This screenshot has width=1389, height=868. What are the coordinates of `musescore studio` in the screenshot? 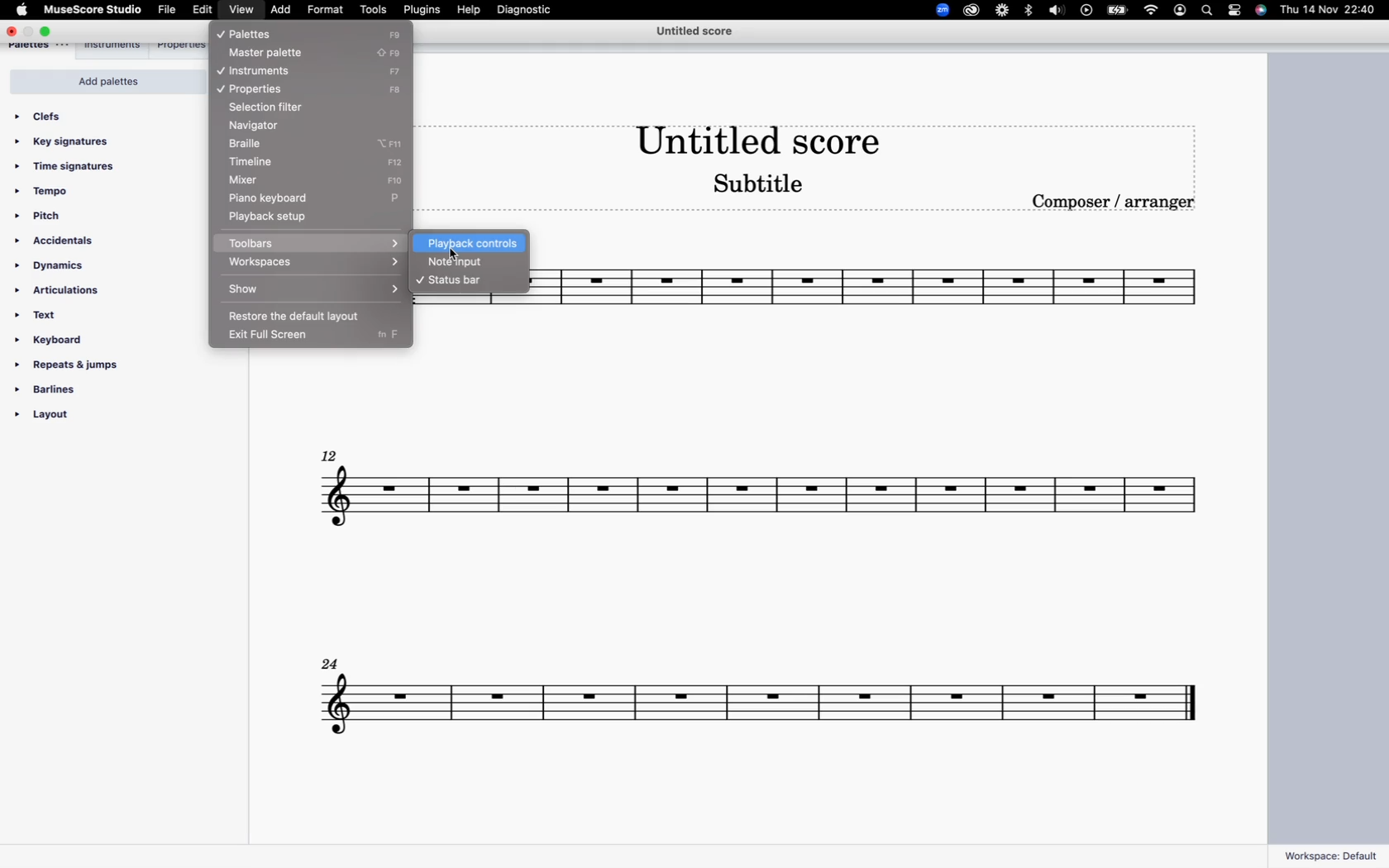 It's located at (94, 10).